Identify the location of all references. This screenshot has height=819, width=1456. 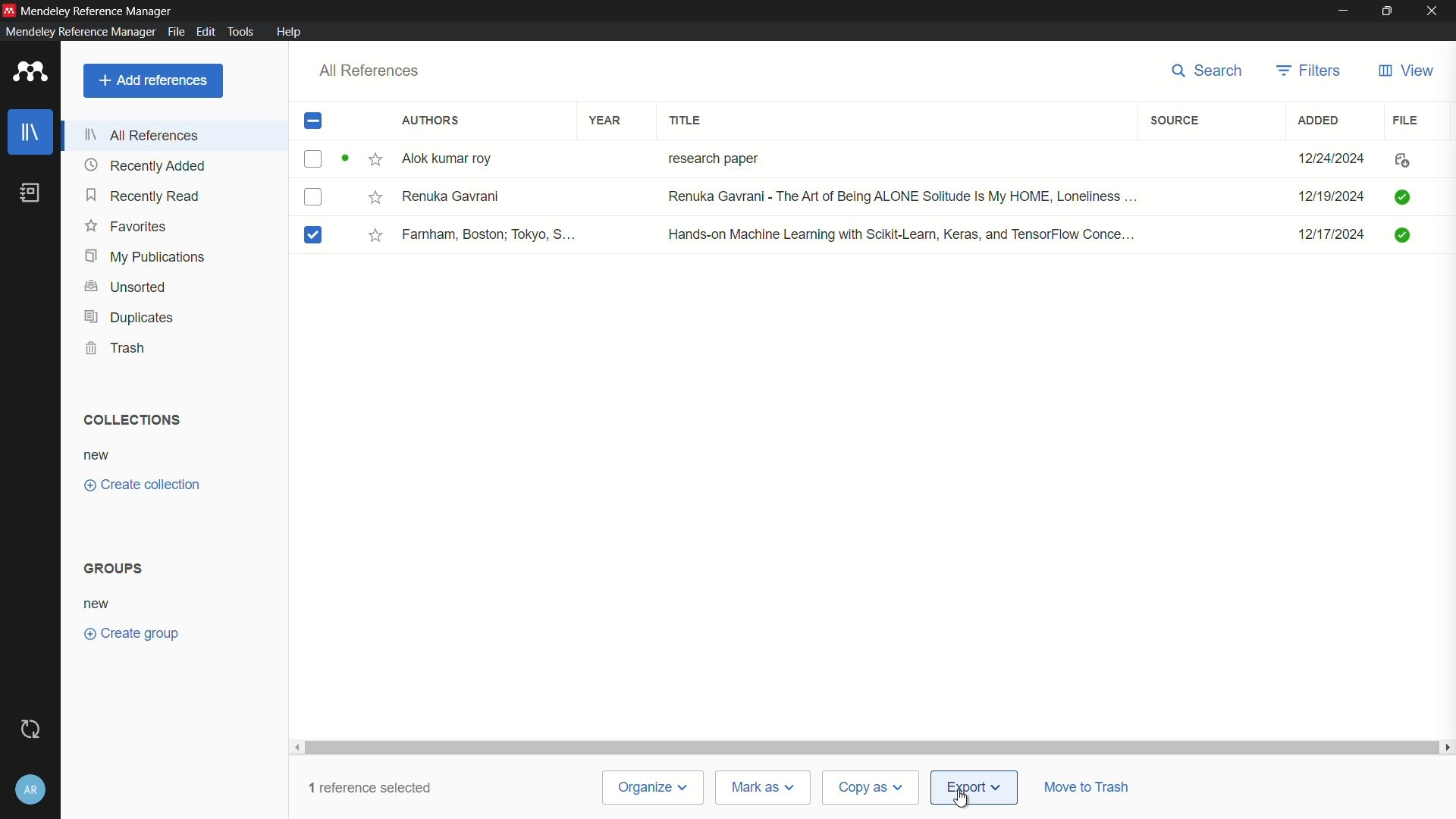
(142, 137).